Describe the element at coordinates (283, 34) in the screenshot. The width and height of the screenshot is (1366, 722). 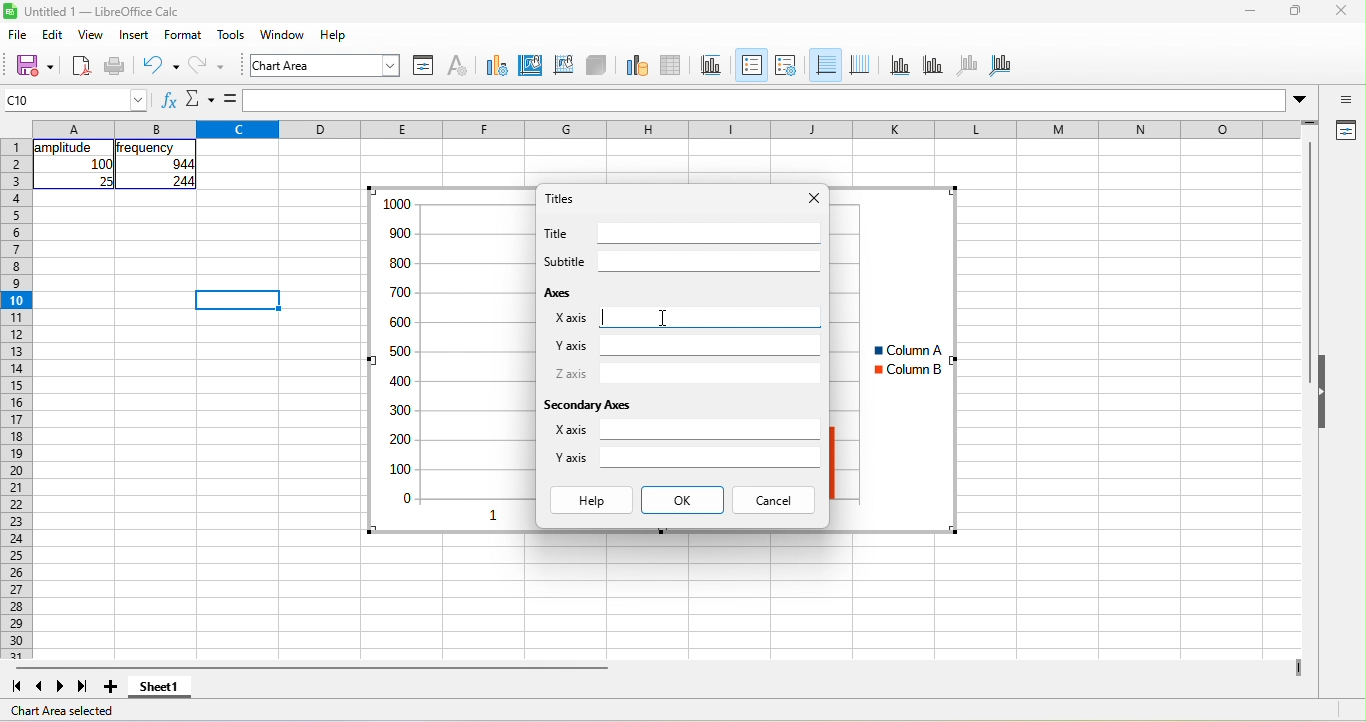
I see `window` at that location.